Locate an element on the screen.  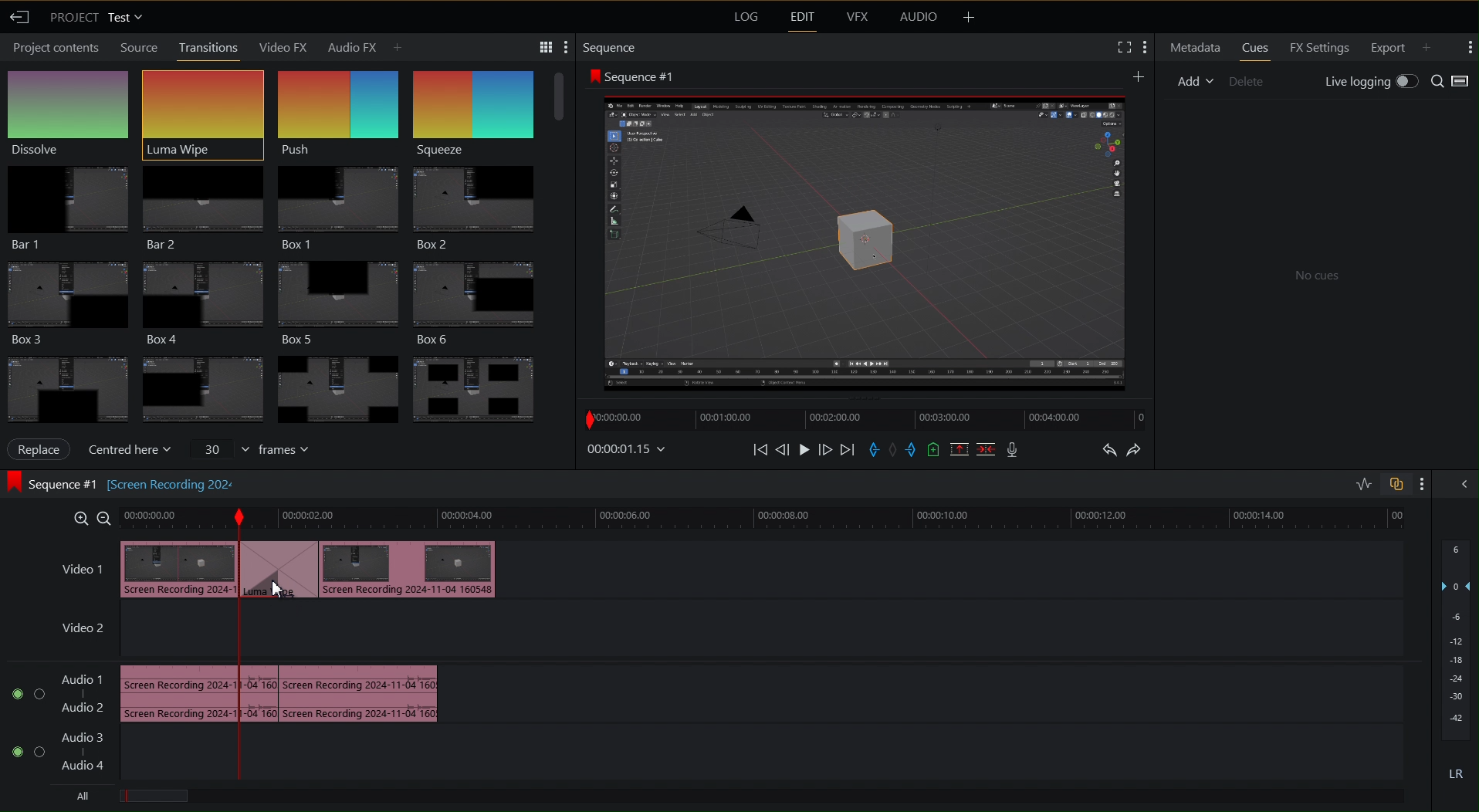
Search is located at coordinates (1453, 80).